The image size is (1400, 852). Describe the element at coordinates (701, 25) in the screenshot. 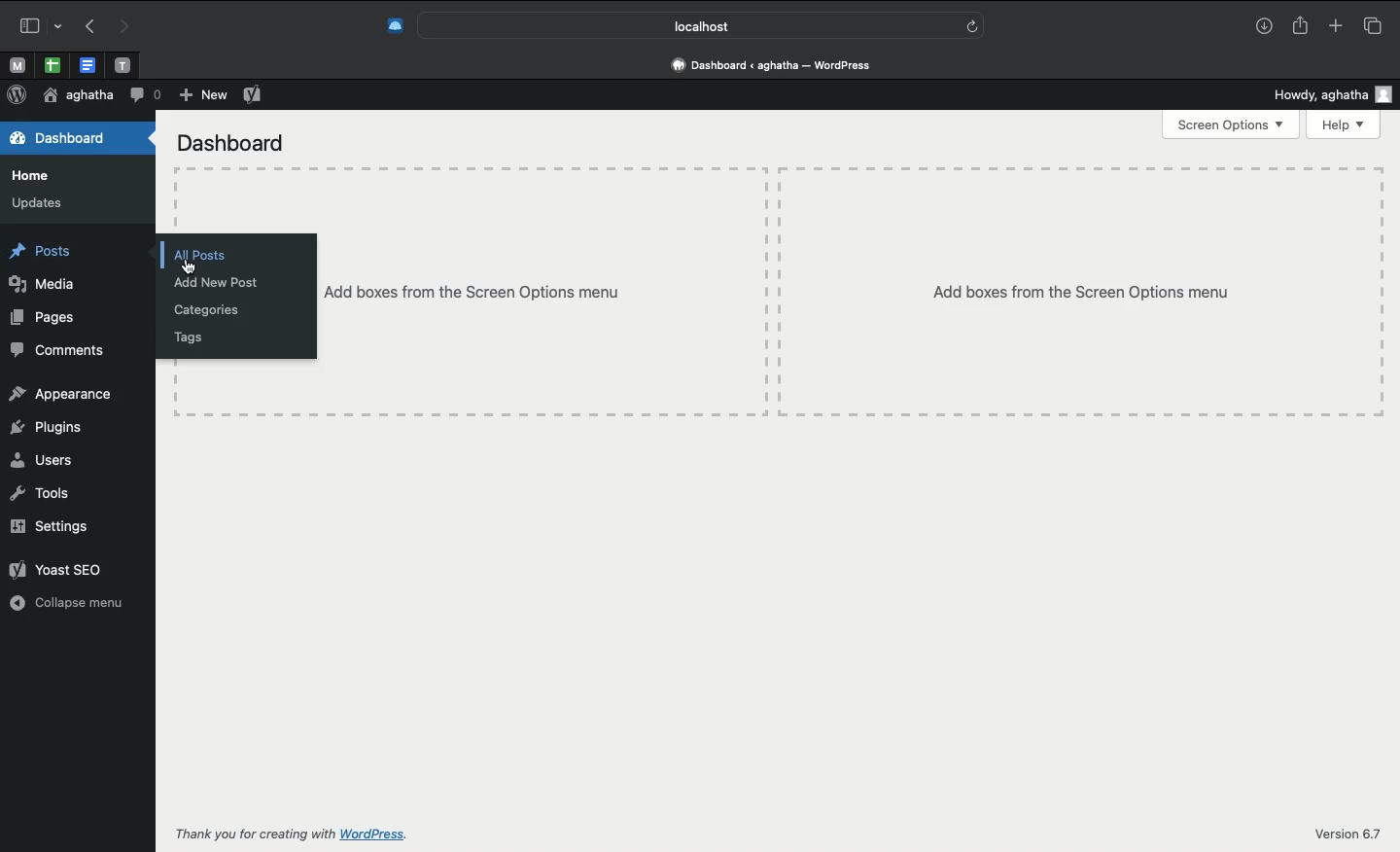

I see `Search bar` at that location.